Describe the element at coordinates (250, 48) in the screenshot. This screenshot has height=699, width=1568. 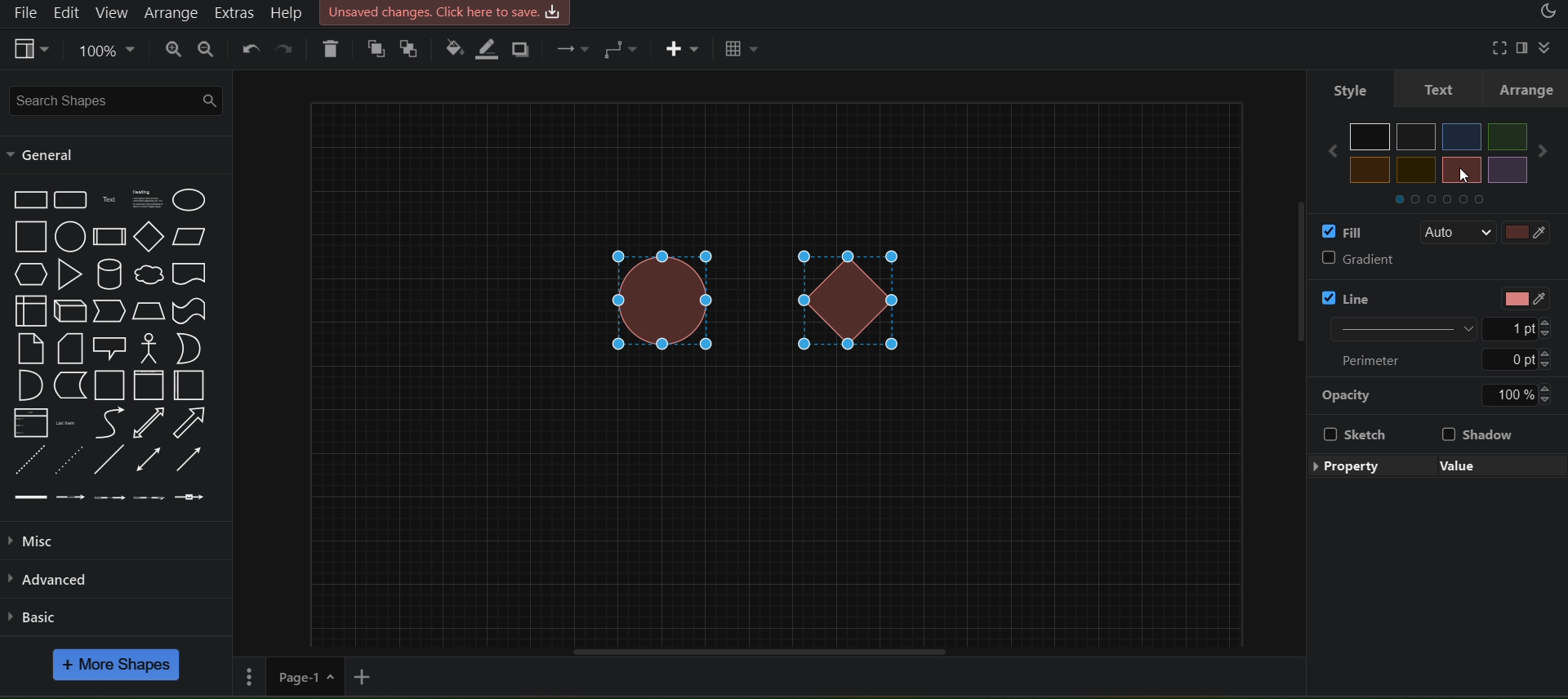
I see `undo` at that location.